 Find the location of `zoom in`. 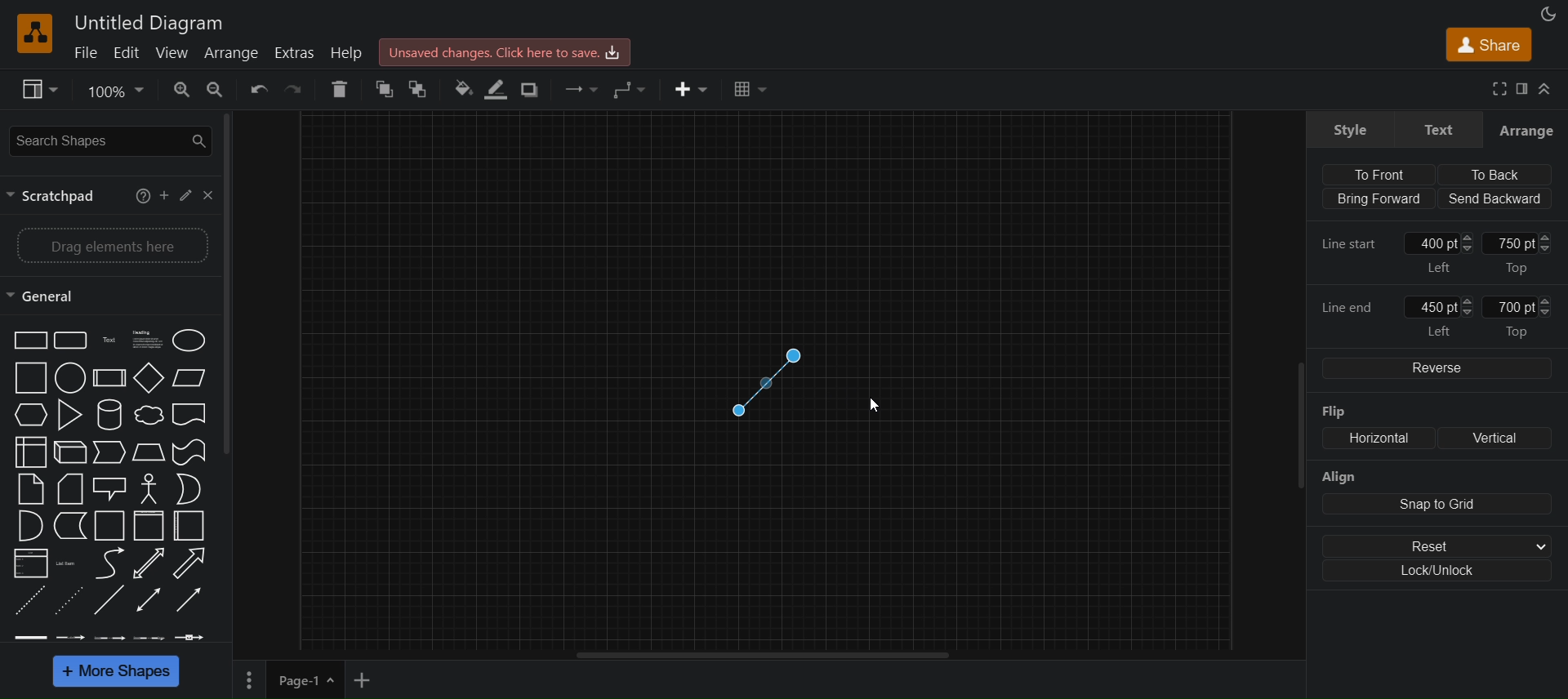

zoom in is located at coordinates (181, 89).